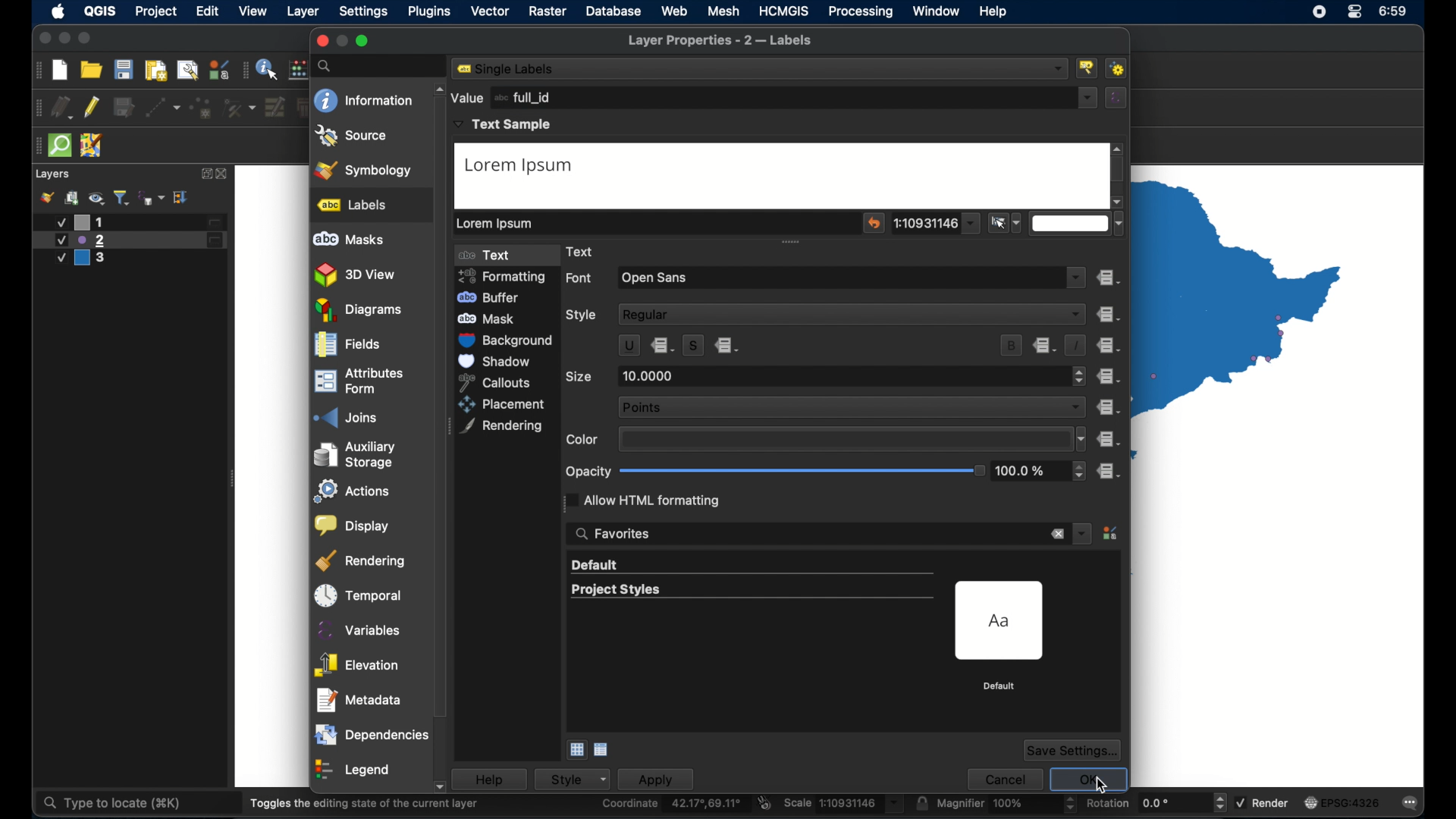  What do you see at coordinates (466, 97) in the screenshot?
I see `value` at bounding box center [466, 97].